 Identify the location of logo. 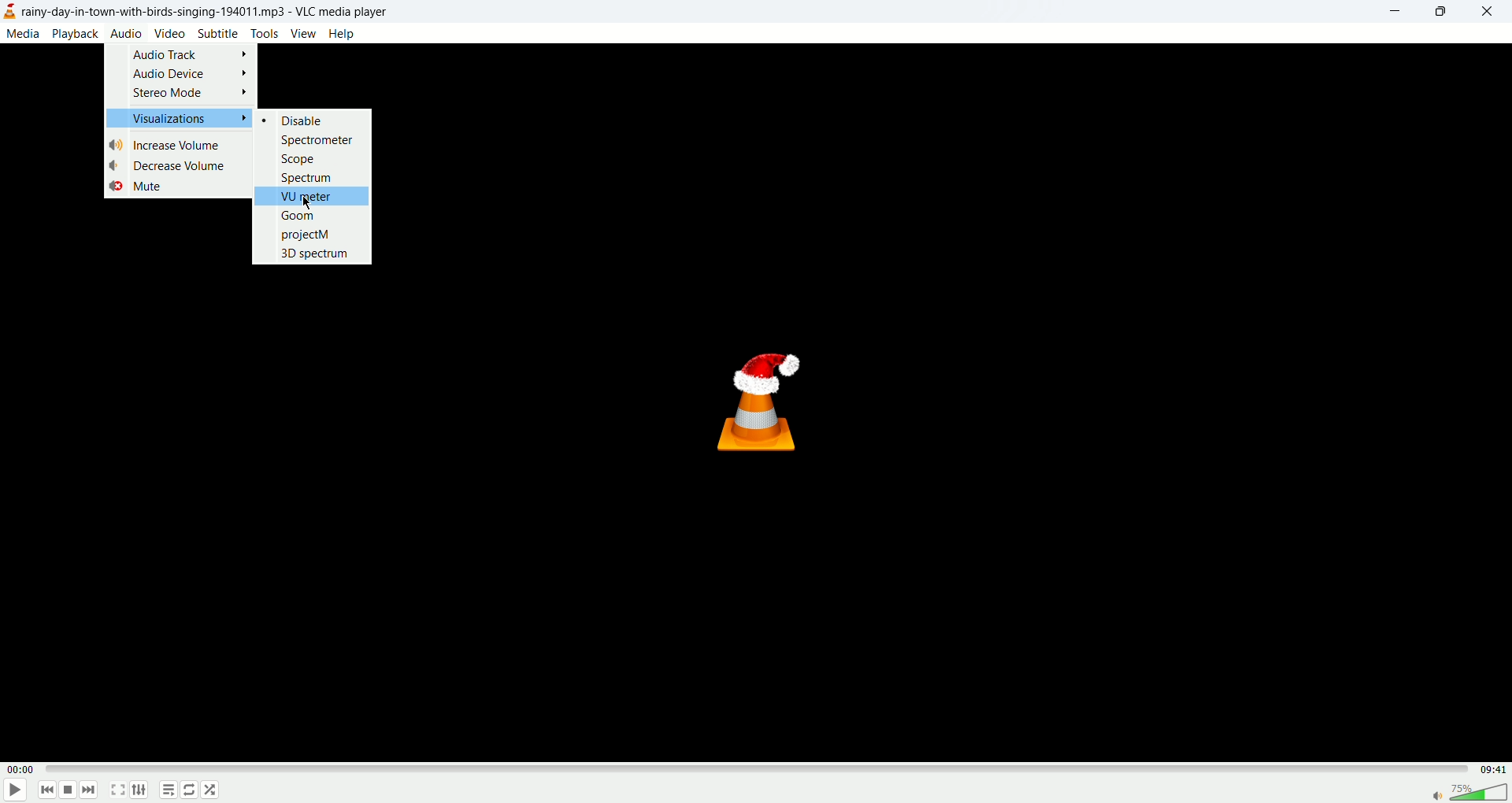
(10, 12).